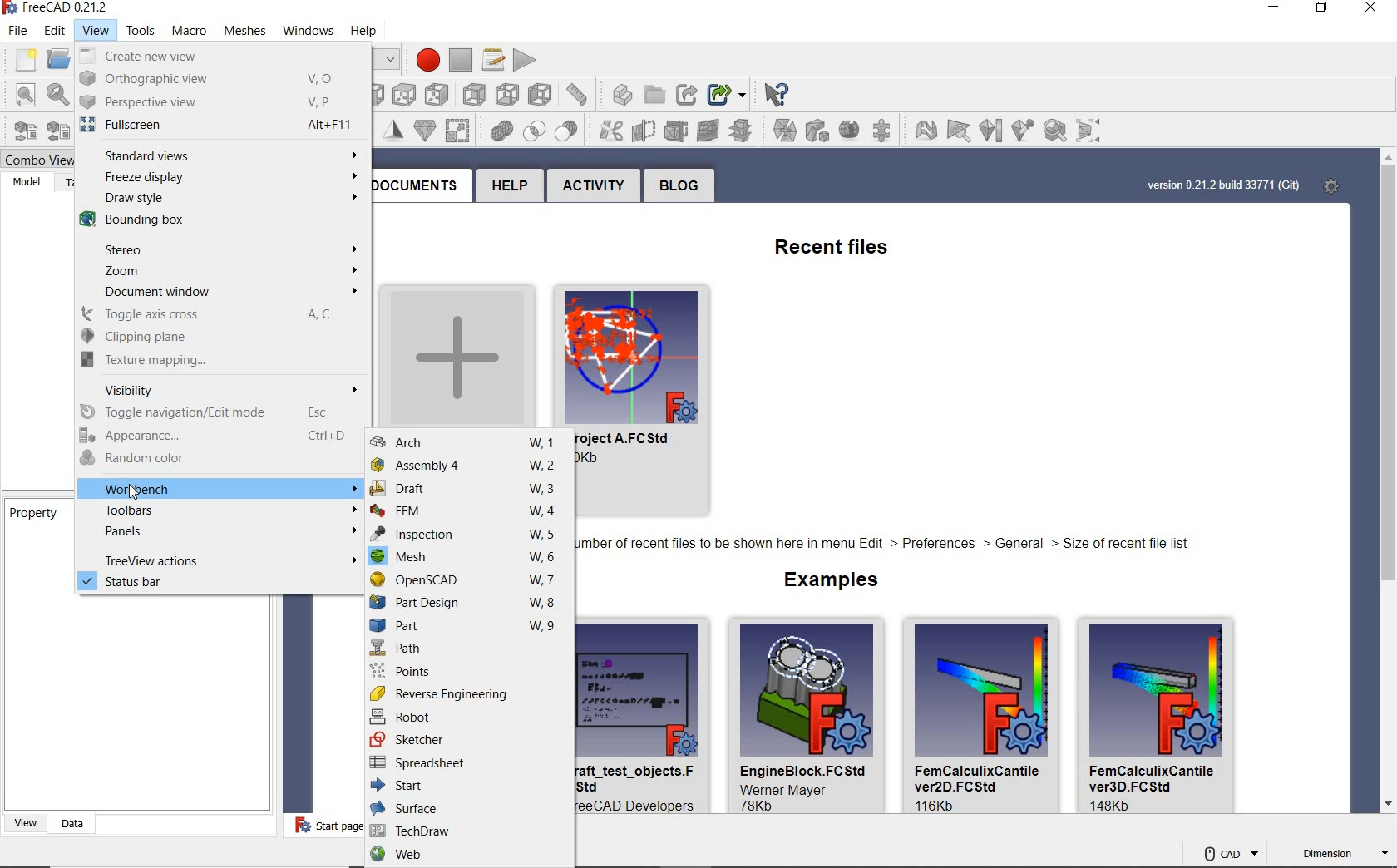 Image resolution: width=1397 pixels, height=868 pixels. What do you see at coordinates (924, 130) in the screenshot?
I see `option` at bounding box center [924, 130].